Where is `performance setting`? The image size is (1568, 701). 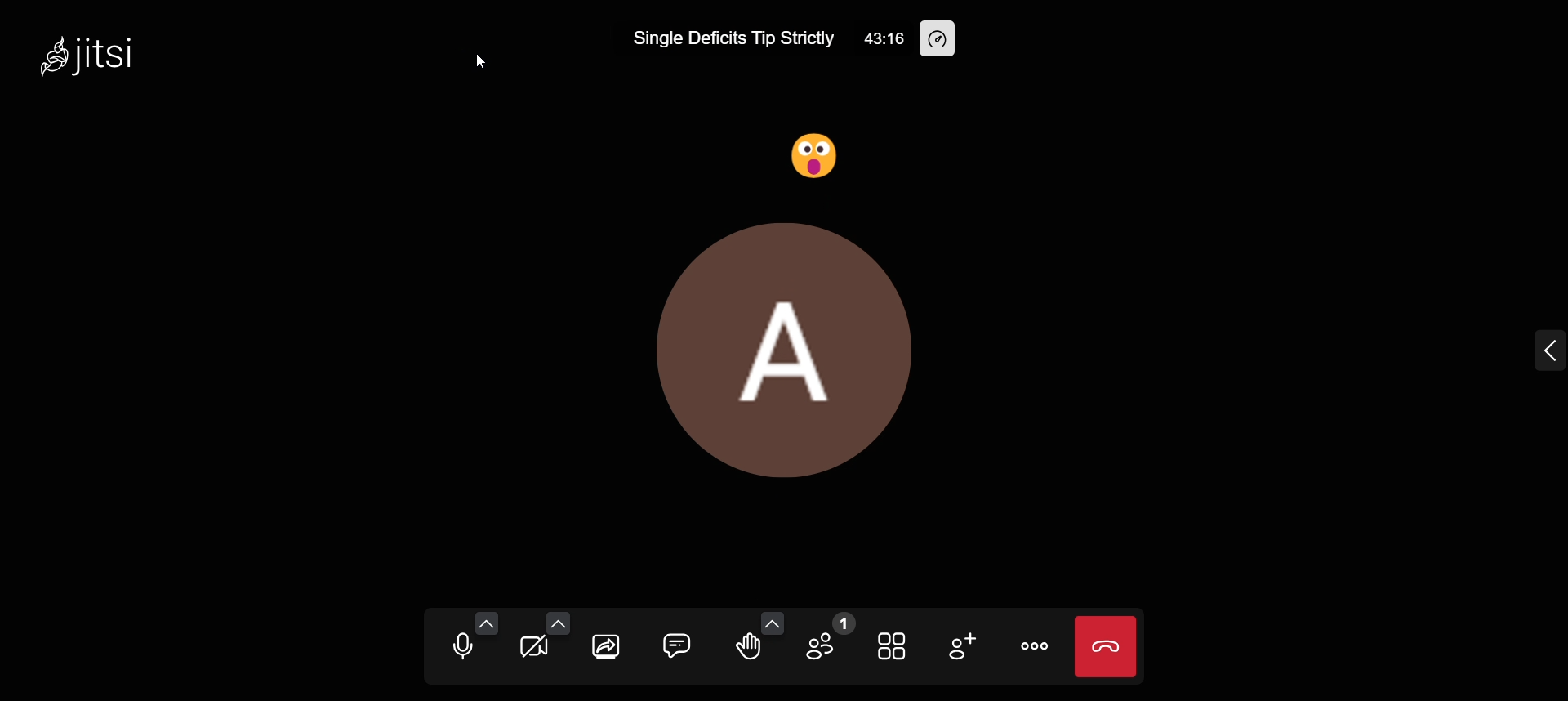
performance setting is located at coordinates (942, 41).